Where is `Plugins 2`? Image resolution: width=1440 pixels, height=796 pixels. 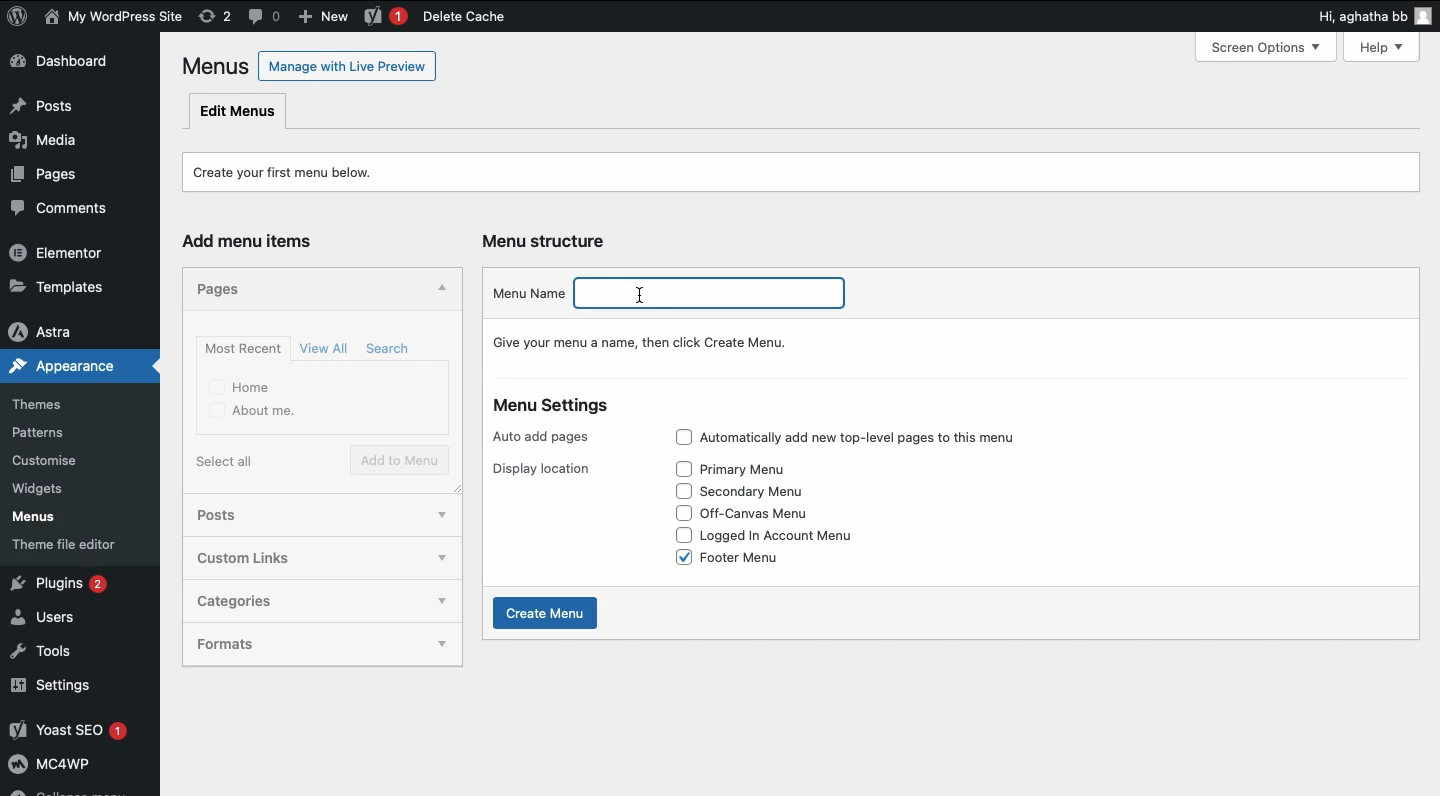 Plugins 2 is located at coordinates (75, 584).